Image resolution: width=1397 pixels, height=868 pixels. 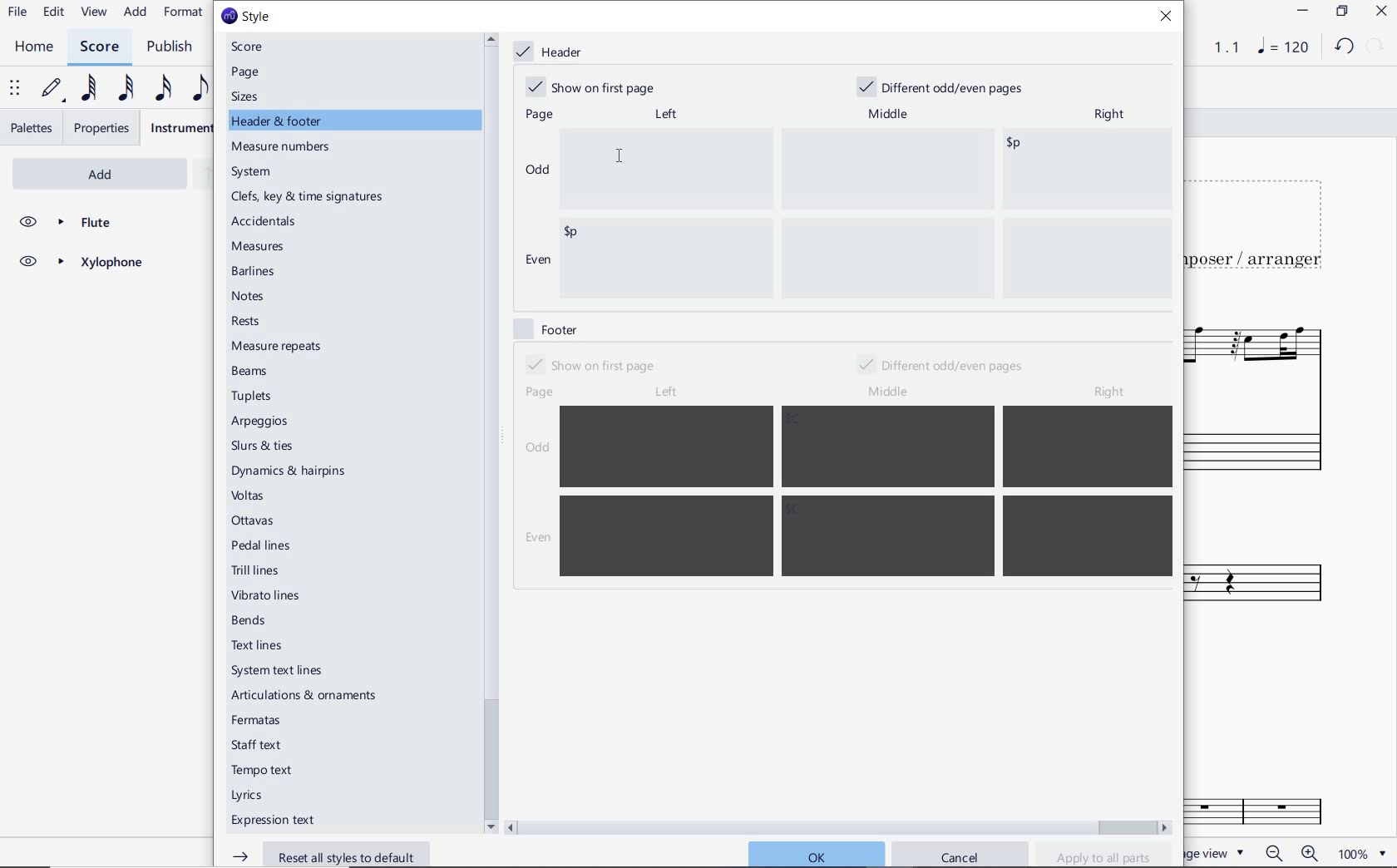 What do you see at coordinates (537, 169) in the screenshot?
I see `odd` at bounding box center [537, 169].